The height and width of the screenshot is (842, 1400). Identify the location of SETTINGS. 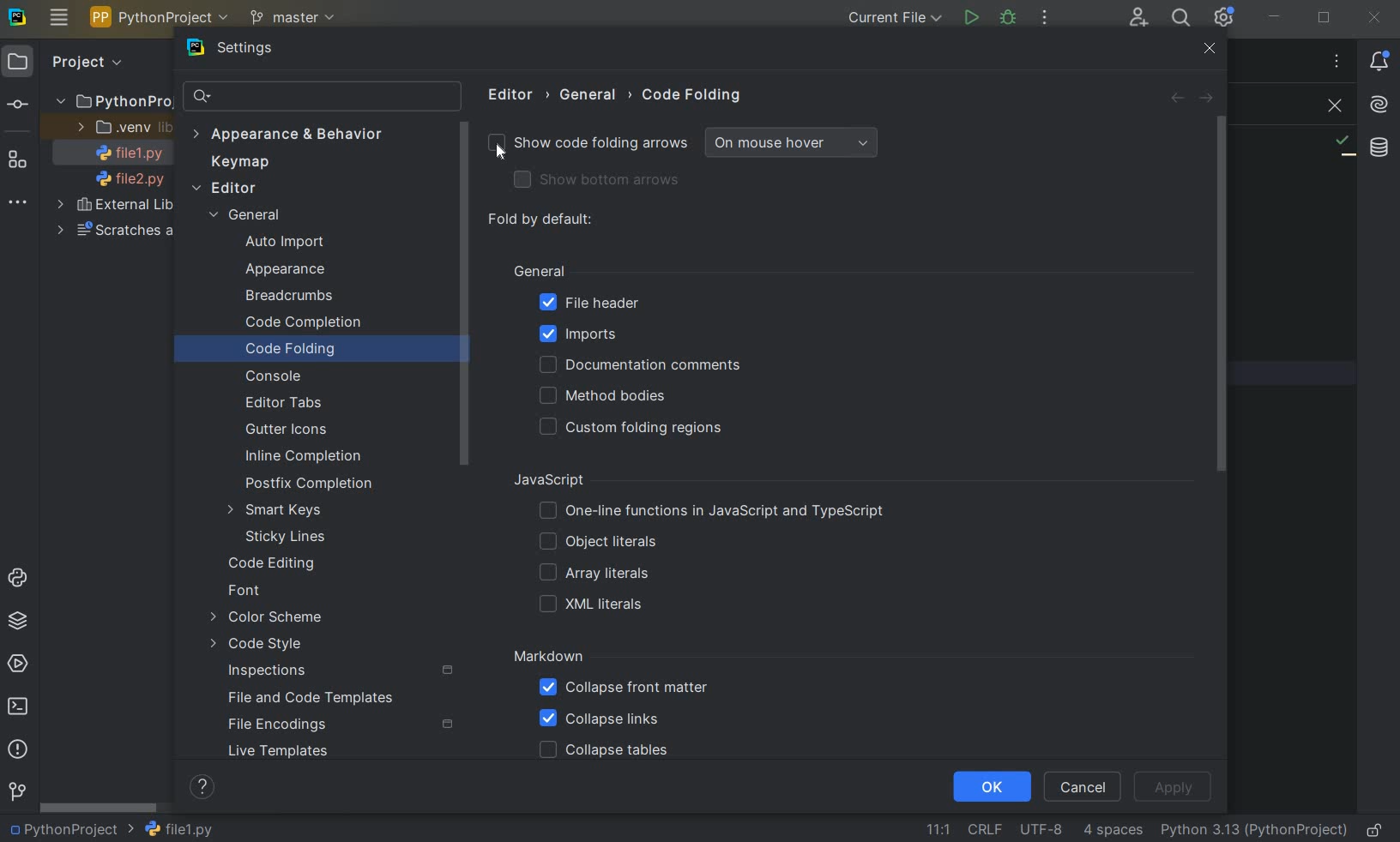
(253, 50).